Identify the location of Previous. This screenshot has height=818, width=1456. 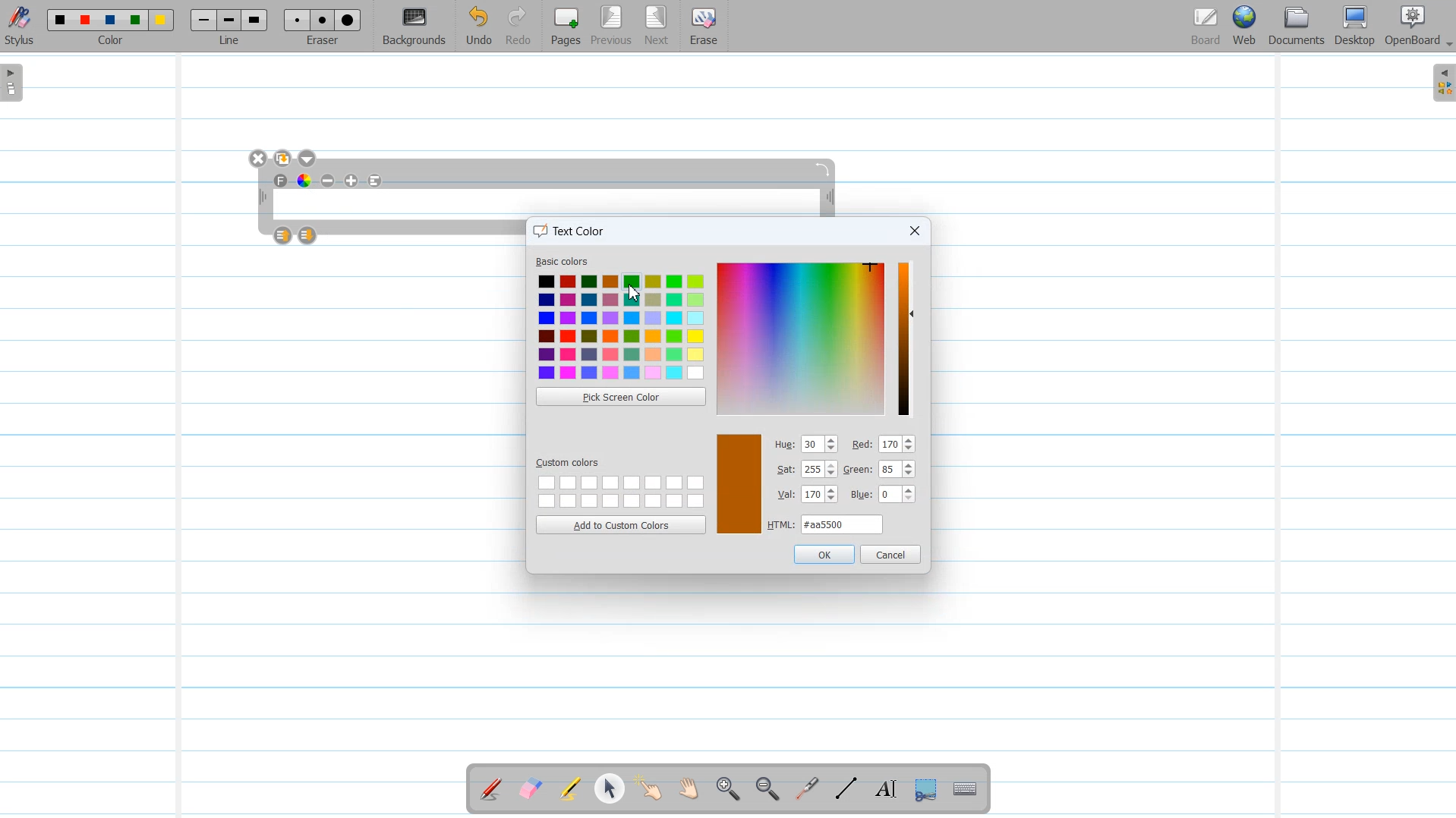
(613, 27).